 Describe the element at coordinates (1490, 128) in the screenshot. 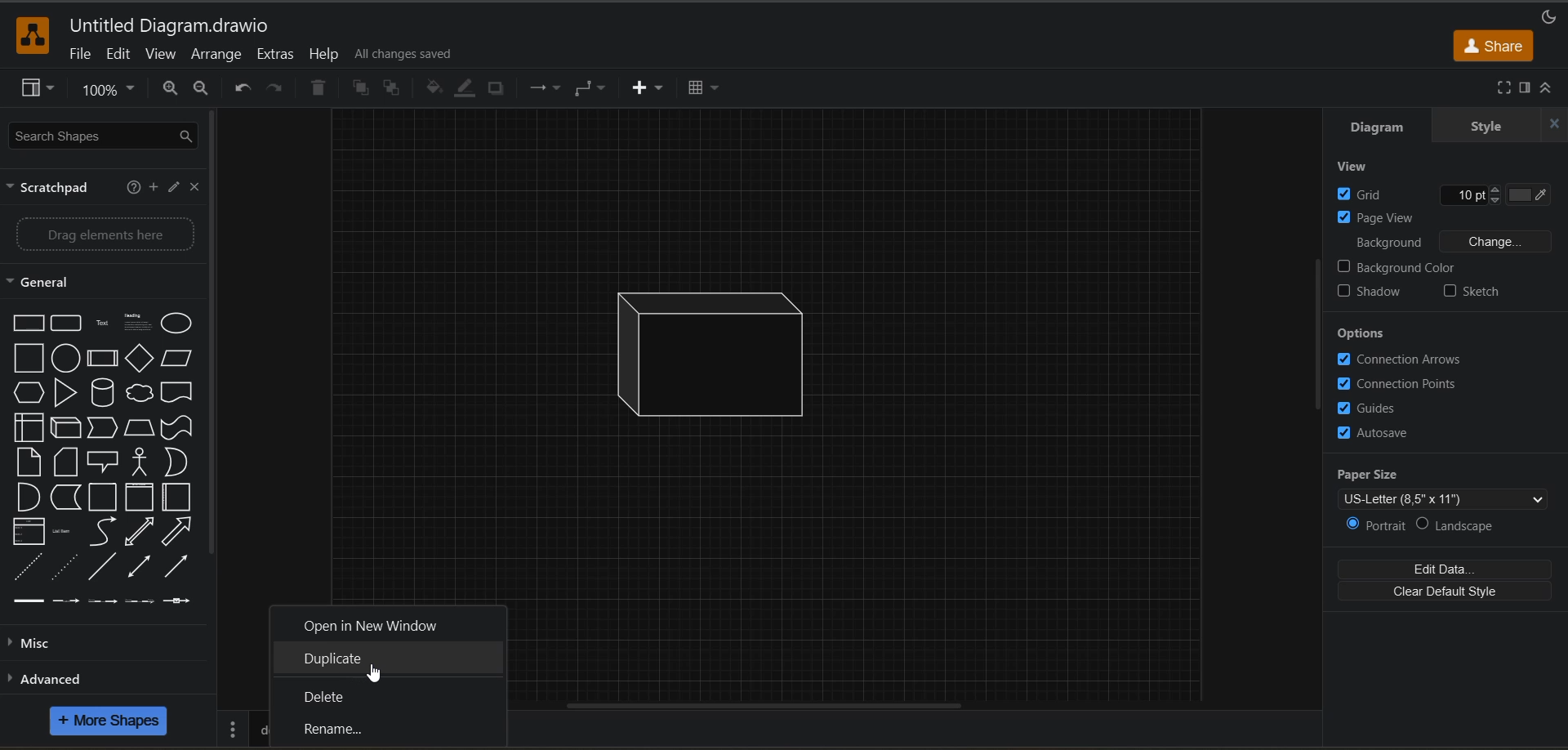

I see `style` at that location.